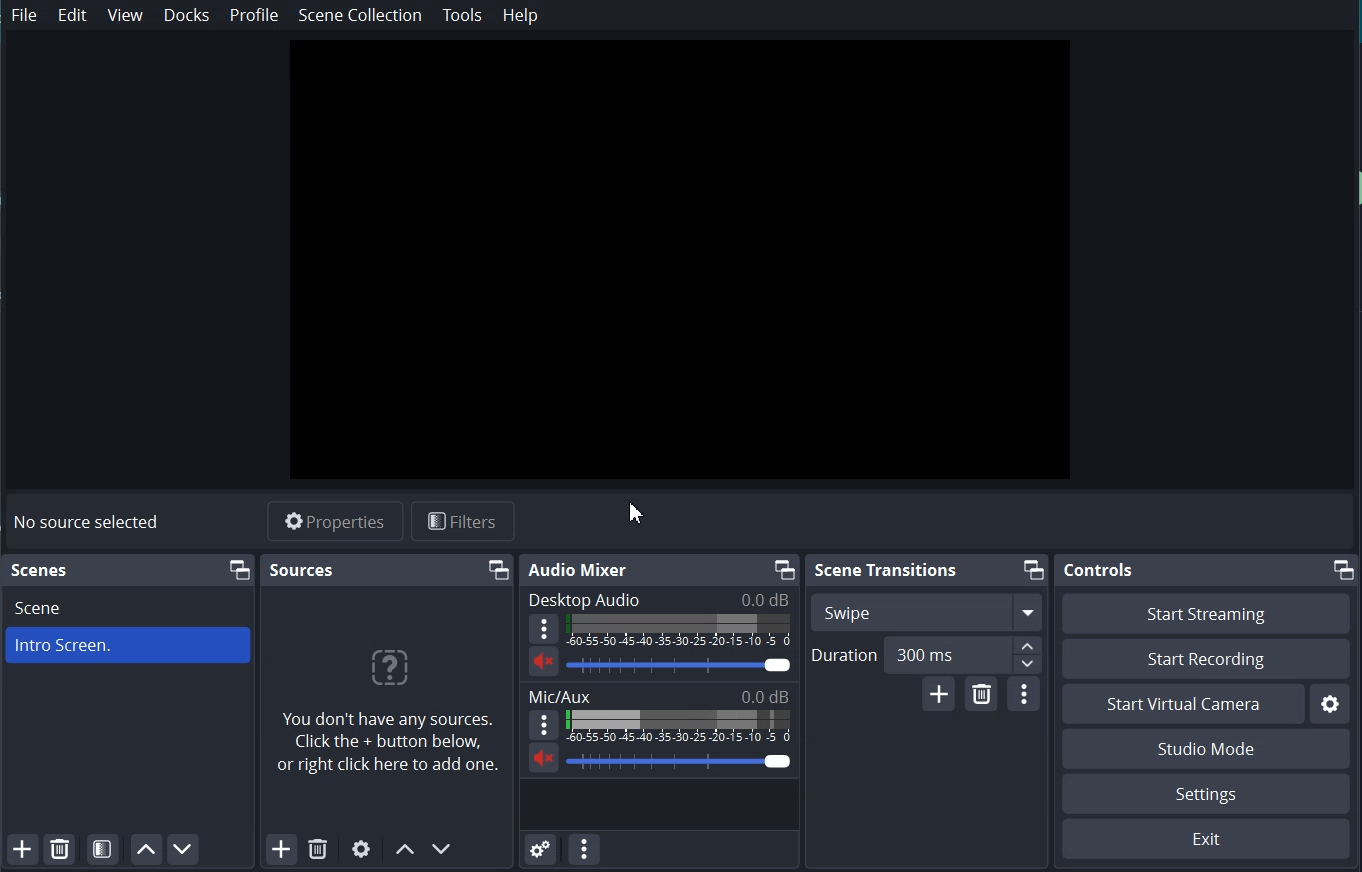 This screenshot has height=872, width=1362. What do you see at coordinates (60, 848) in the screenshot?
I see `Remove Selected Scene` at bounding box center [60, 848].